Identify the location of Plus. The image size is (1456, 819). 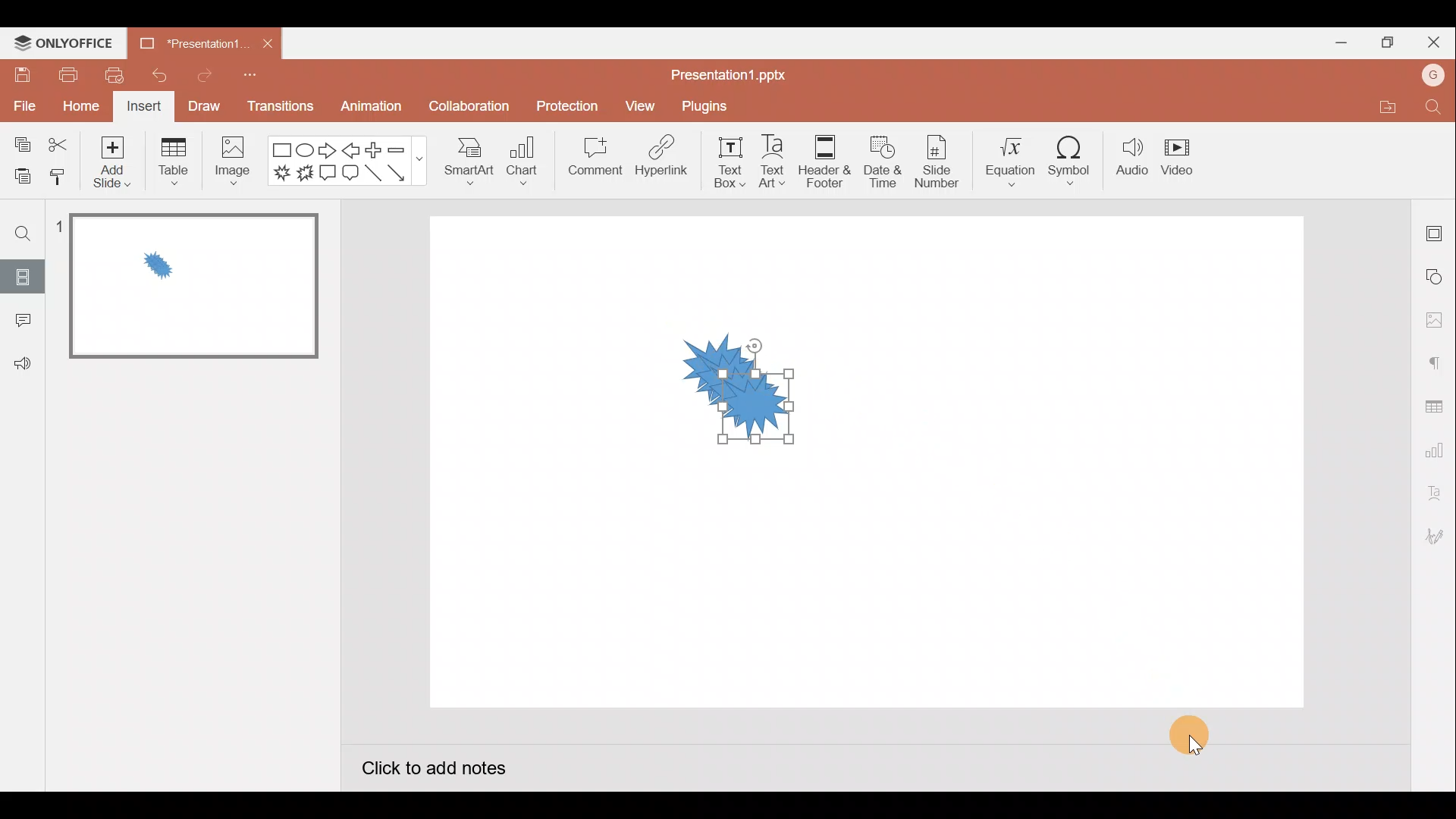
(372, 150).